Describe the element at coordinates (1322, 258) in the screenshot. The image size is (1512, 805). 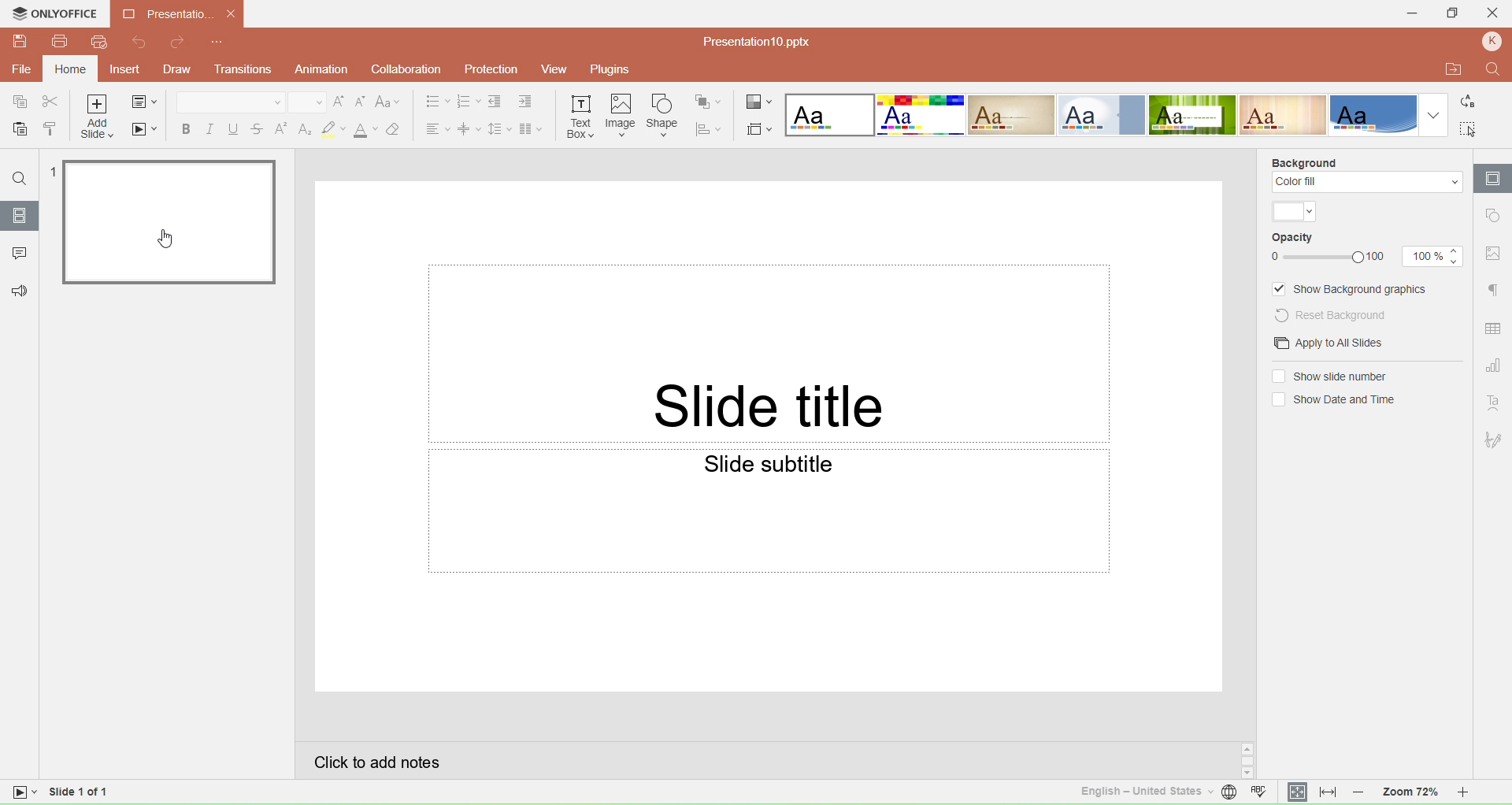
I see `Opacity Slider` at that location.